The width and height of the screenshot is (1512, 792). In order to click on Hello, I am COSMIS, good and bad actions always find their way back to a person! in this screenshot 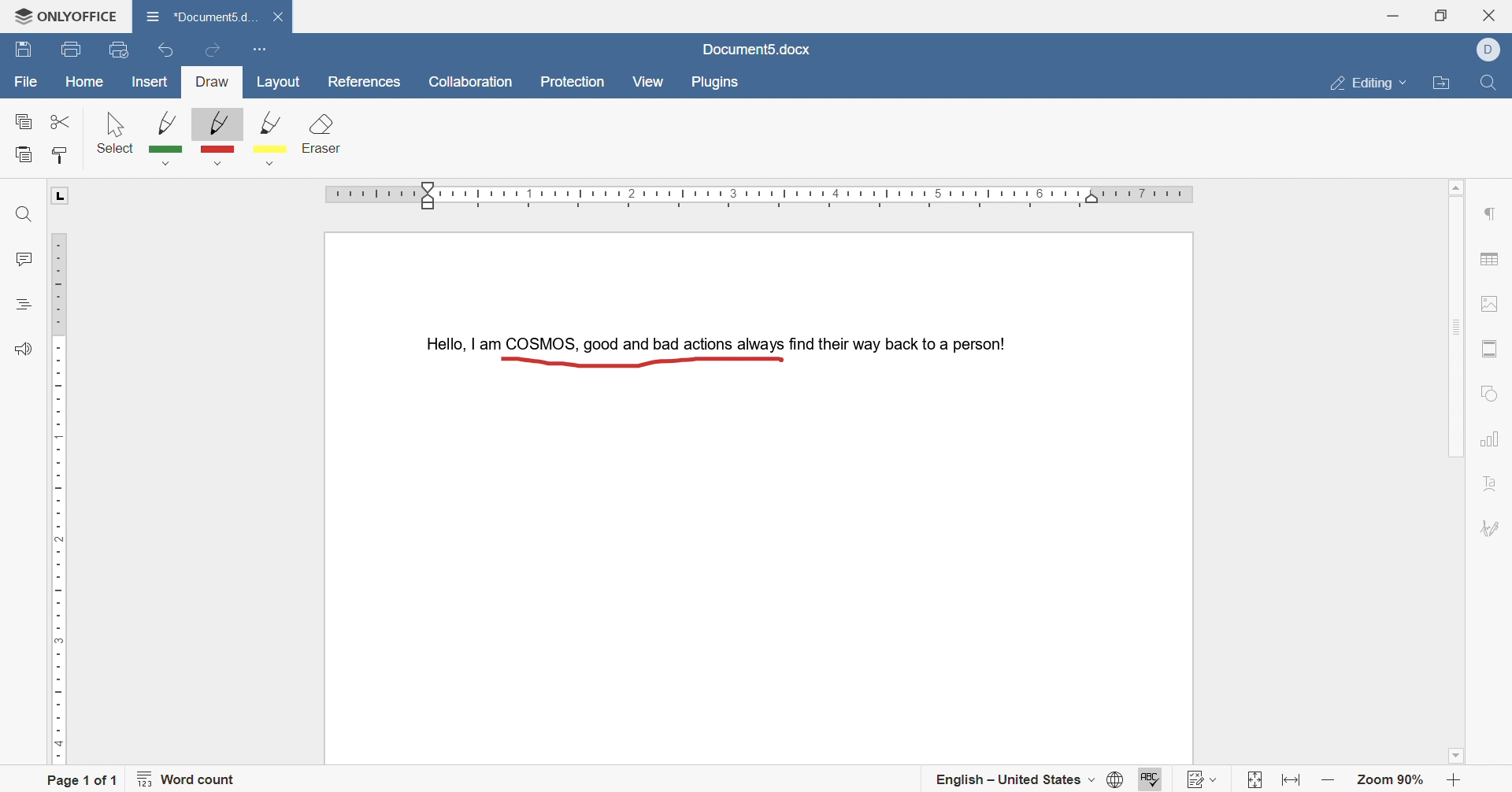, I will do `click(712, 341)`.